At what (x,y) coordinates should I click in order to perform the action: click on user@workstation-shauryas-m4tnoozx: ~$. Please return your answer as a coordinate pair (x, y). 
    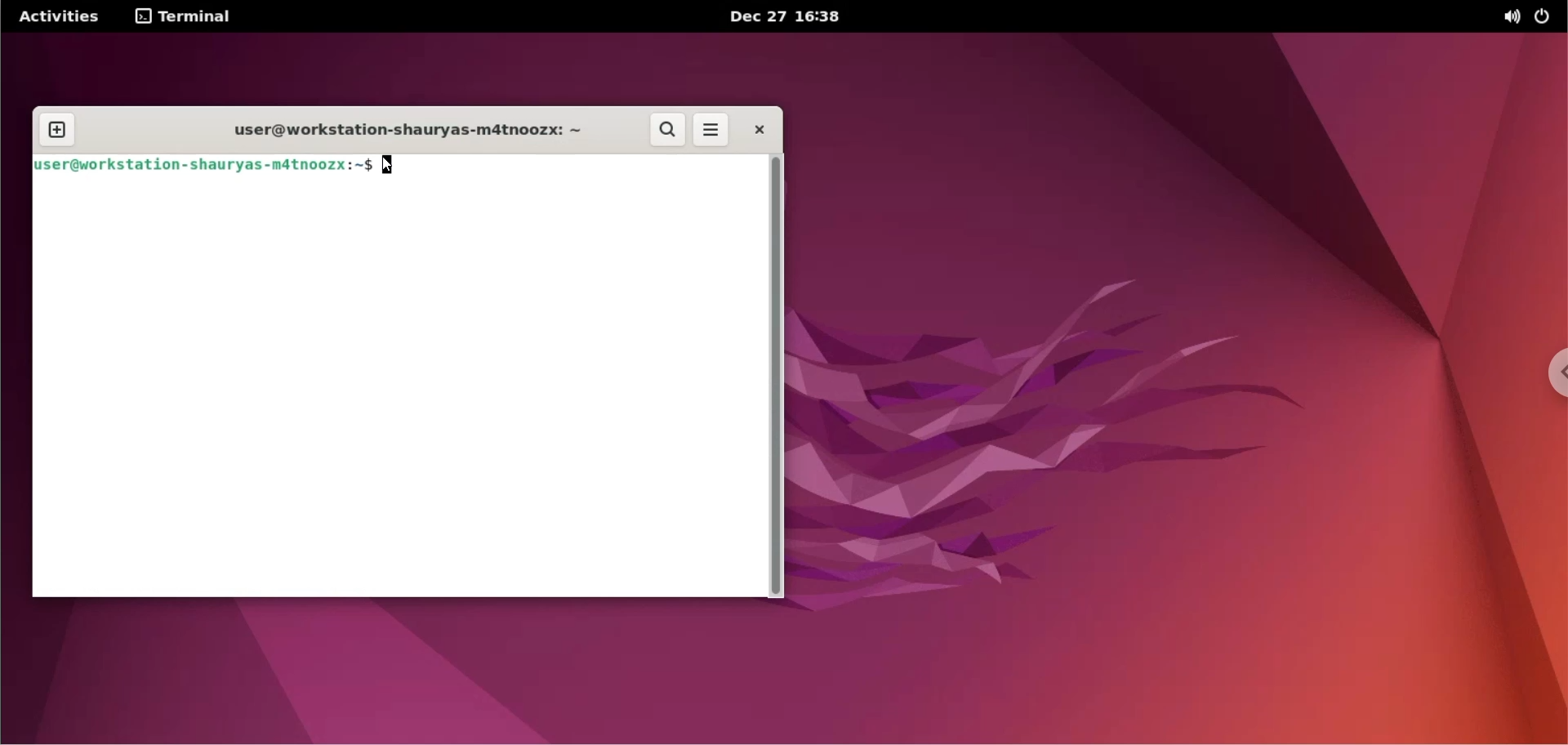
    Looking at the image, I should click on (399, 133).